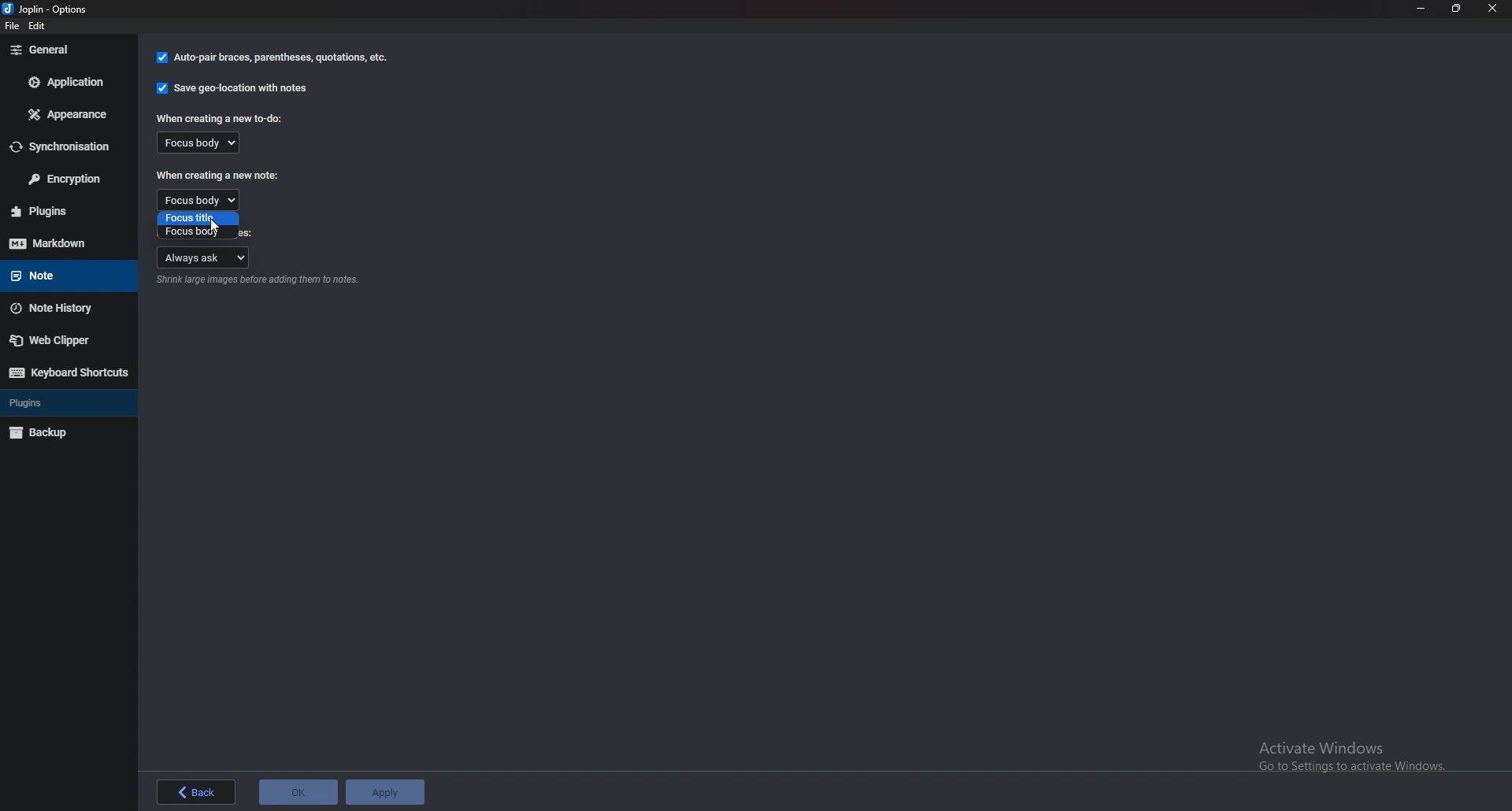 The image size is (1512, 811). I want to click on Resize, so click(1454, 8).